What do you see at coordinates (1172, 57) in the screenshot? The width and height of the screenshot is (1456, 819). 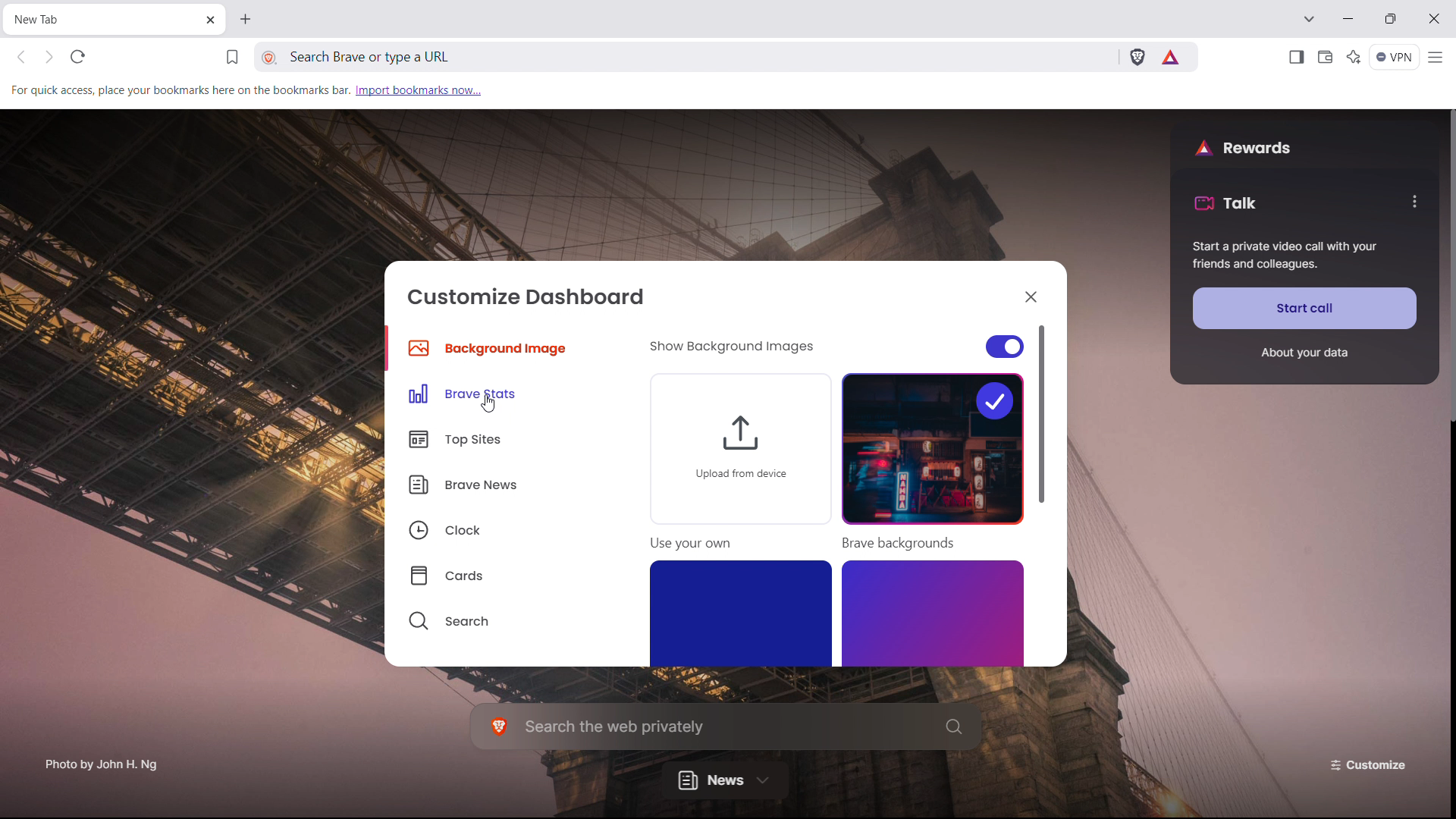 I see `brave rewards` at bounding box center [1172, 57].